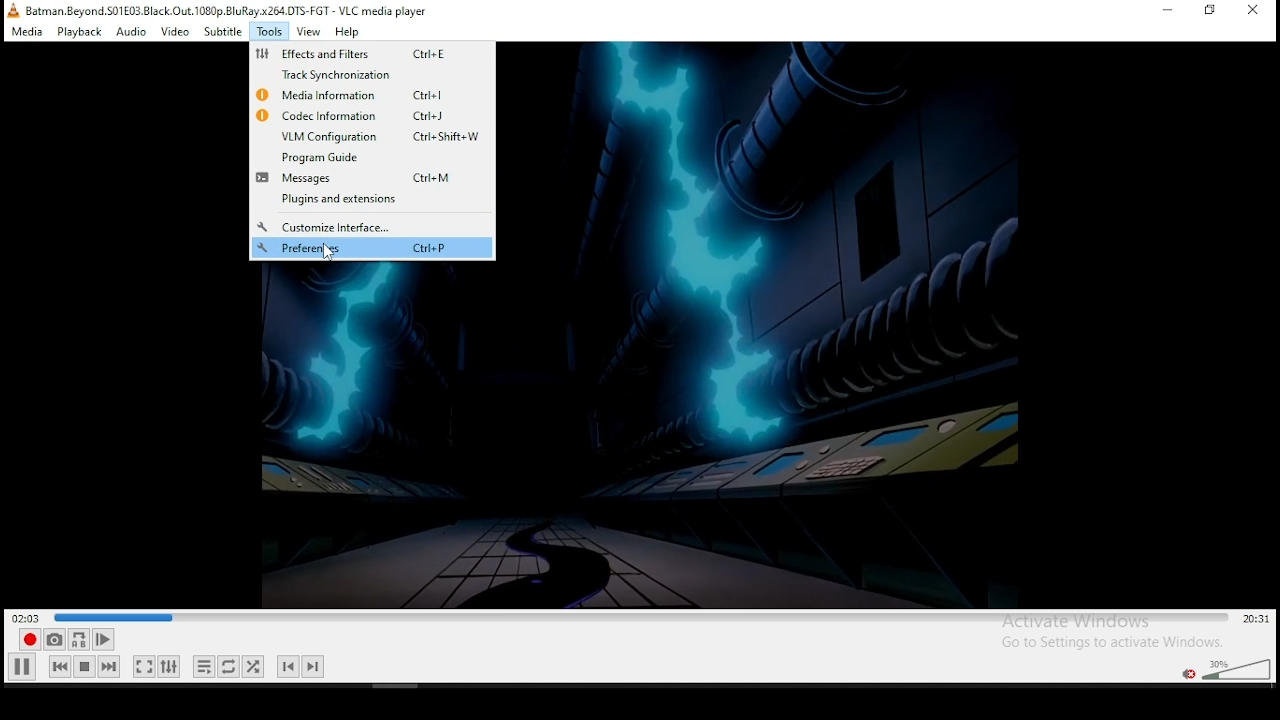 The width and height of the screenshot is (1280, 720). What do you see at coordinates (1211, 11) in the screenshot?
I see `restore` at bounding box center [1211, 11].